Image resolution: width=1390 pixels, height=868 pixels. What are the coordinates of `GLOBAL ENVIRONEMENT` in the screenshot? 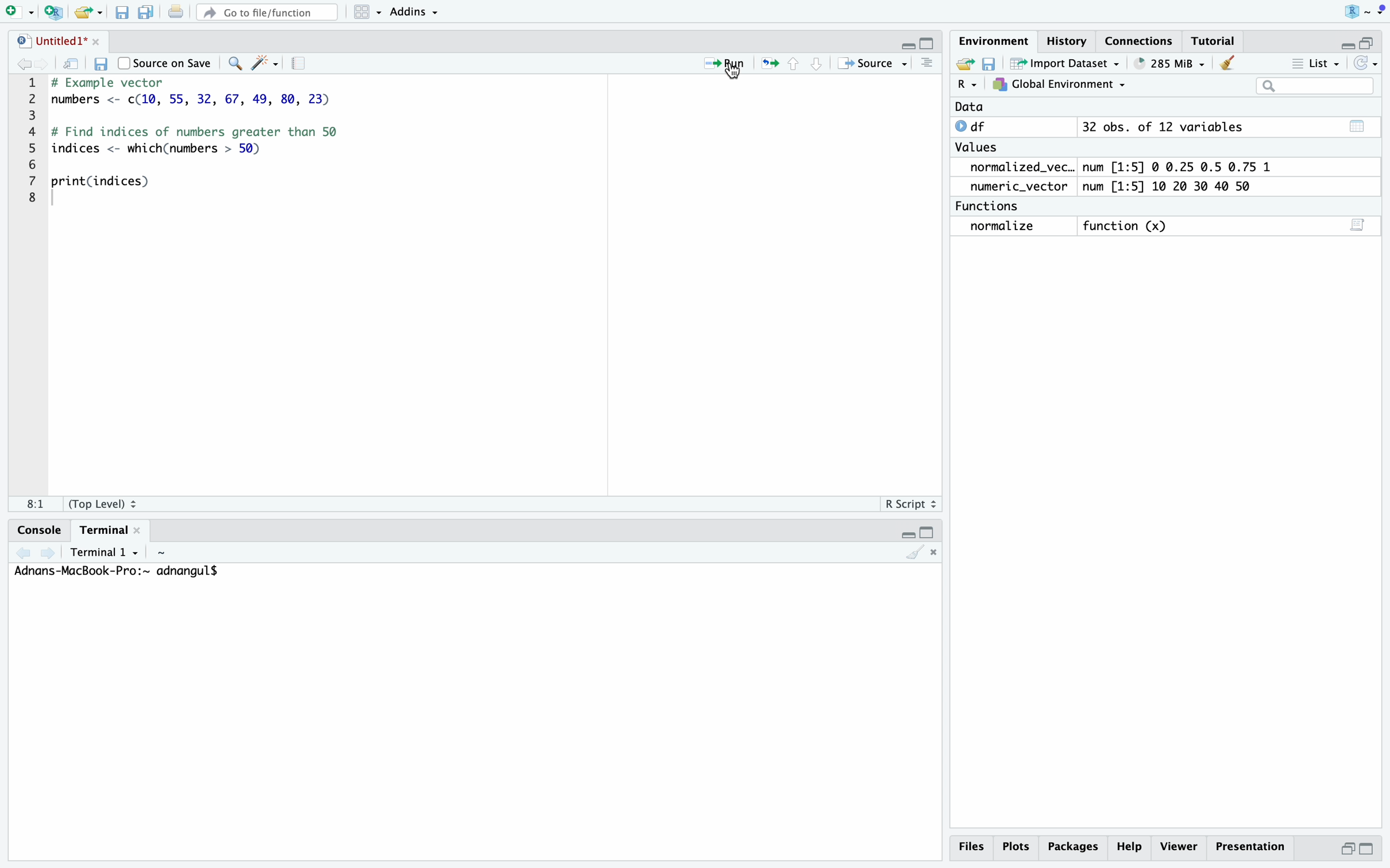 It's located at (1059, 87).